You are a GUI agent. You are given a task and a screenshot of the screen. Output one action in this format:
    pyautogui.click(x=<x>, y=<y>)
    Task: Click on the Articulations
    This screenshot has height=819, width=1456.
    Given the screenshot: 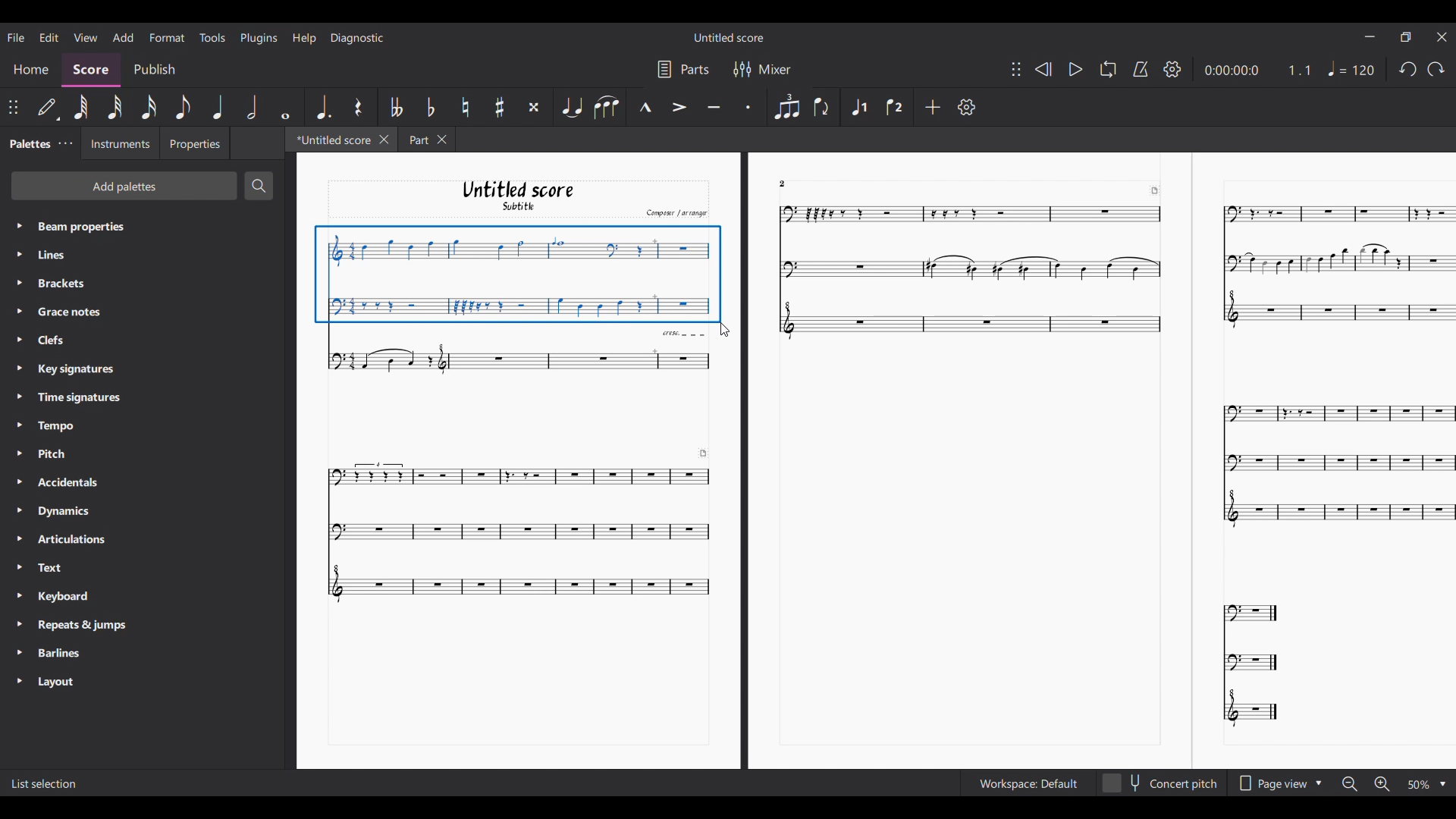 What is the action you would take?
    pyautogui.click(x=76, y=538)
    